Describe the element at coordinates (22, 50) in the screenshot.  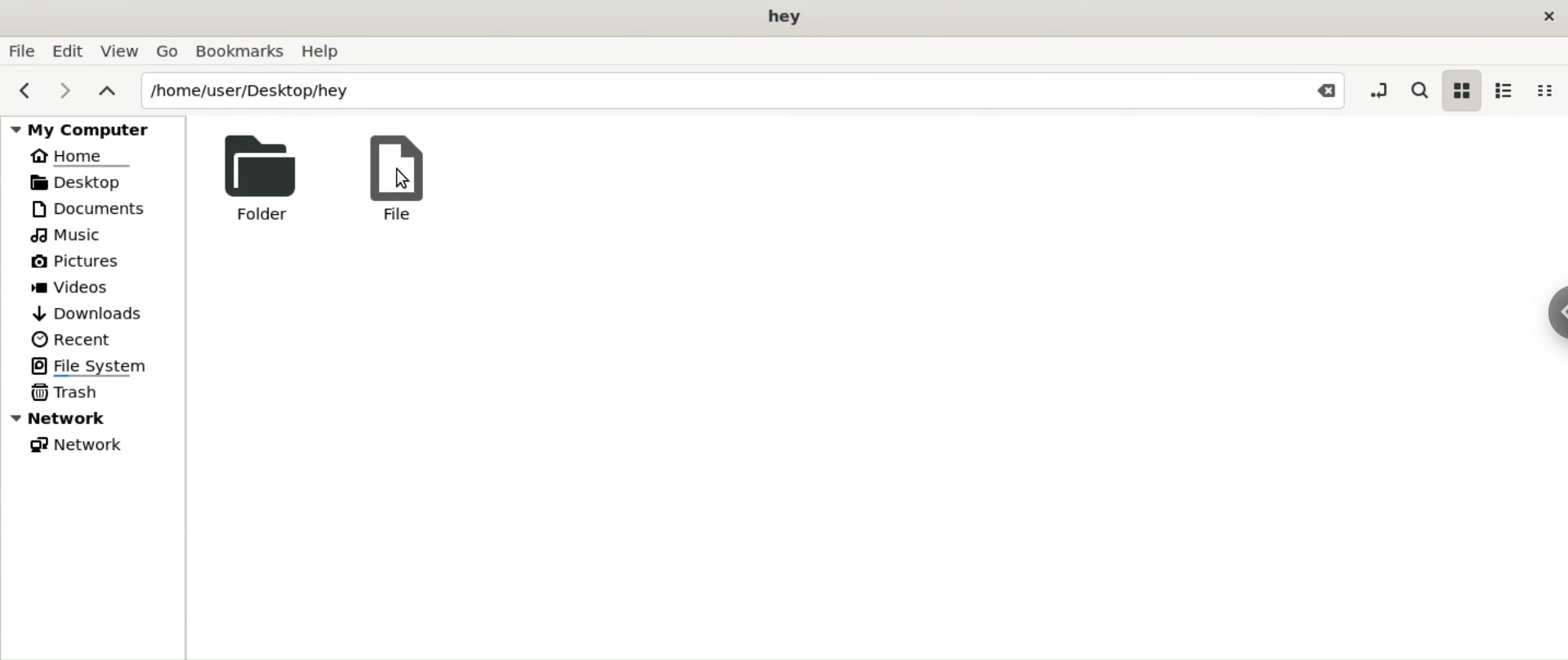
I see `File` at that location.